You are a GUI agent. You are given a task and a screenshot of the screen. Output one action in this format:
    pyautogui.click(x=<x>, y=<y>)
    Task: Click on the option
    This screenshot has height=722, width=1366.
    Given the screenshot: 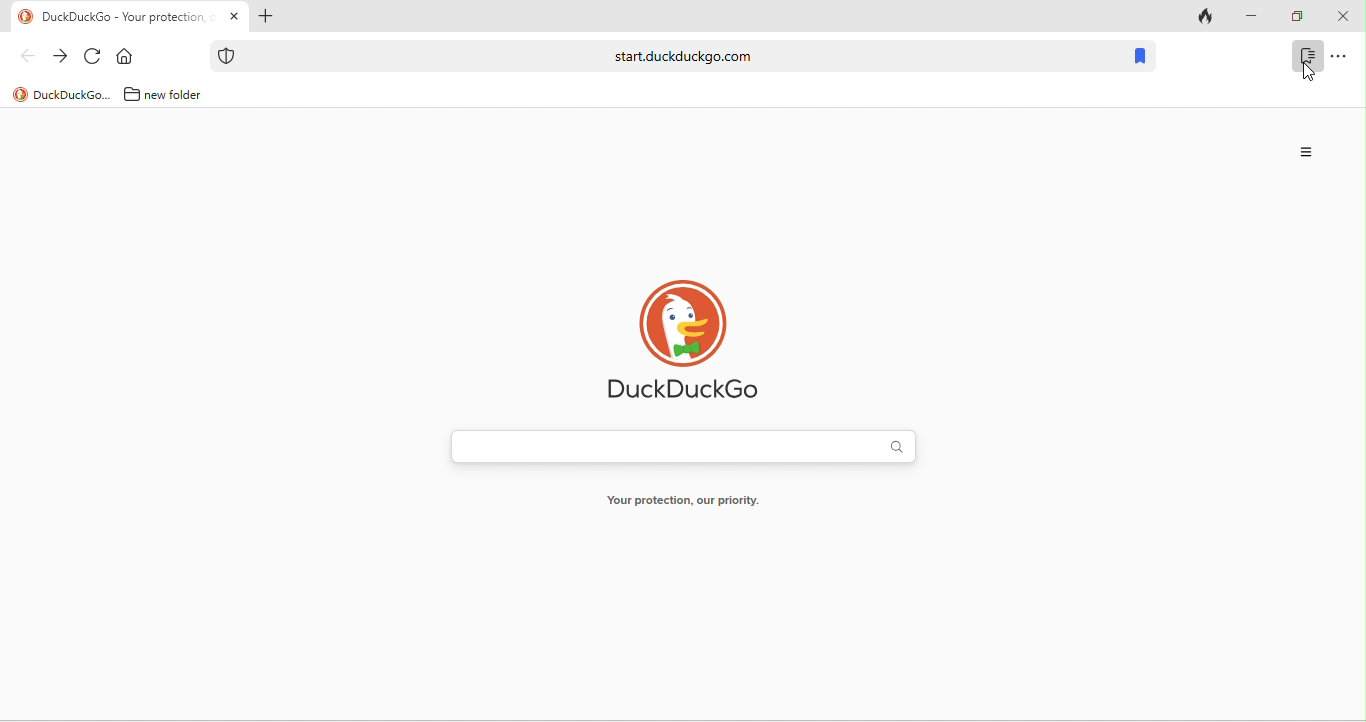 What is the action you would take?
    pyautogui.click(x=1307, y=153)
    